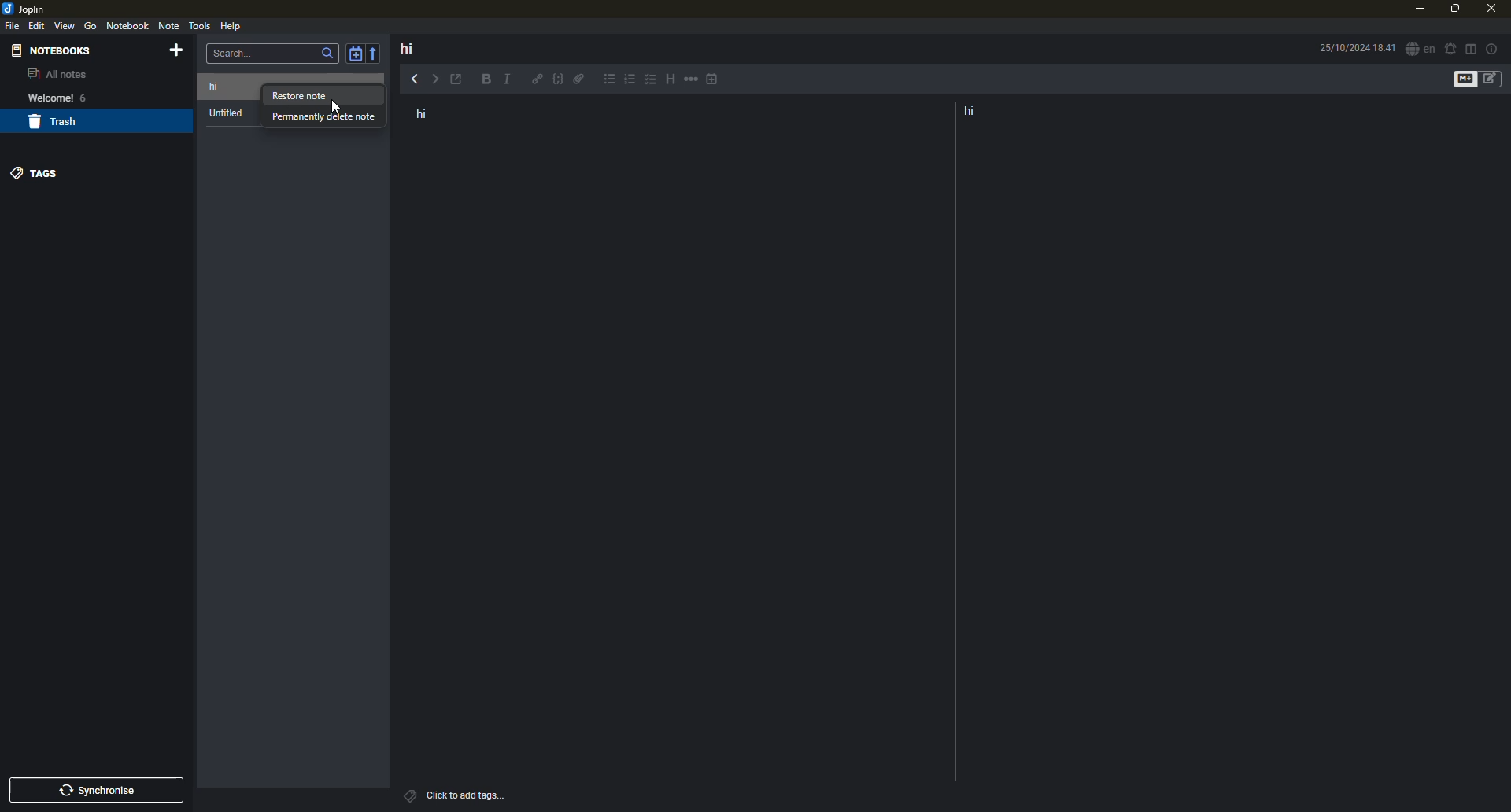 The image size is (1511, 812). What do you see at coordinates (102, 791) in the screenshot?
I see `synchronise` at bounding box center [102, 791].